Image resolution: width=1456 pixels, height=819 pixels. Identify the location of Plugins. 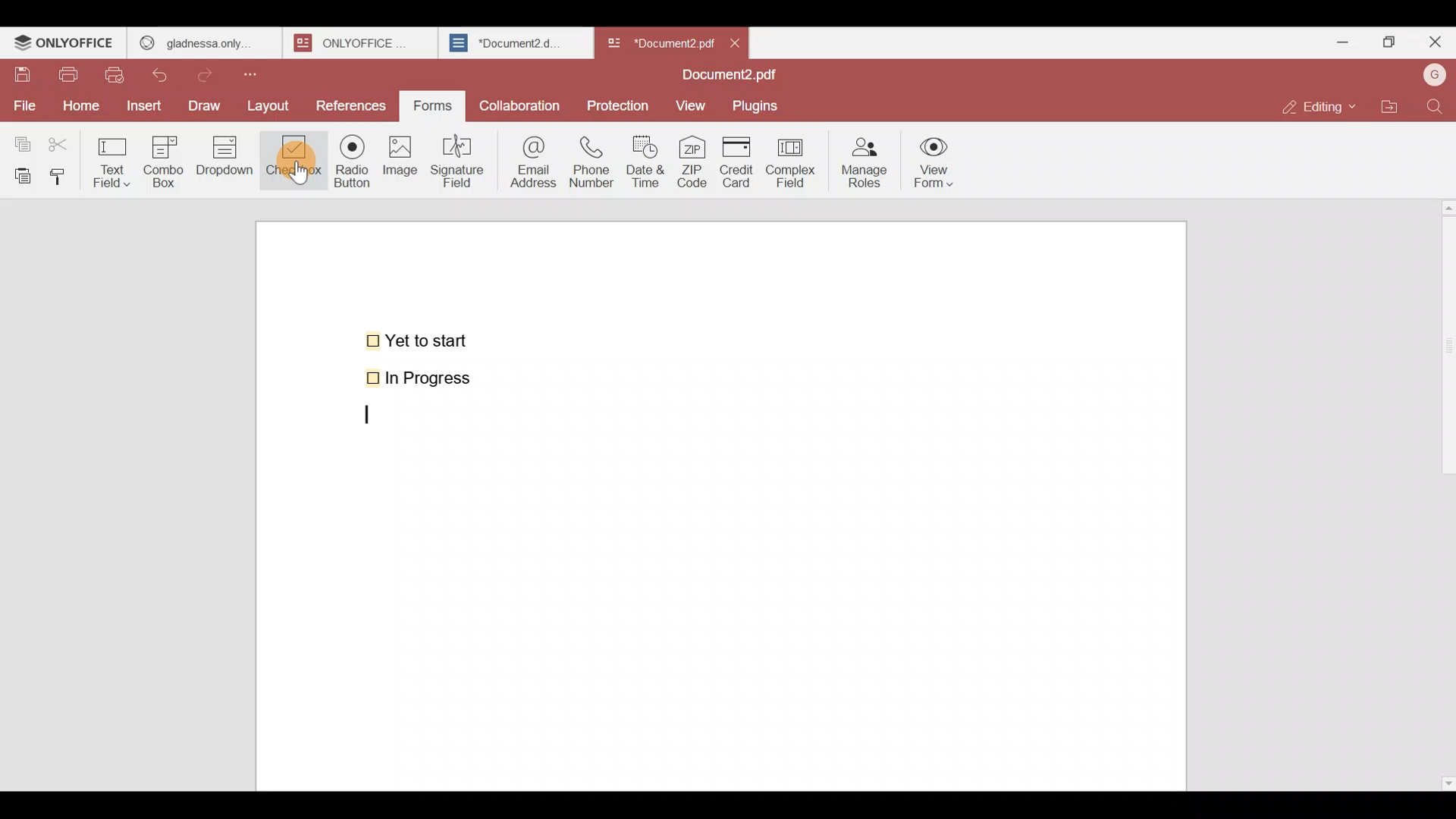
(761, 106).